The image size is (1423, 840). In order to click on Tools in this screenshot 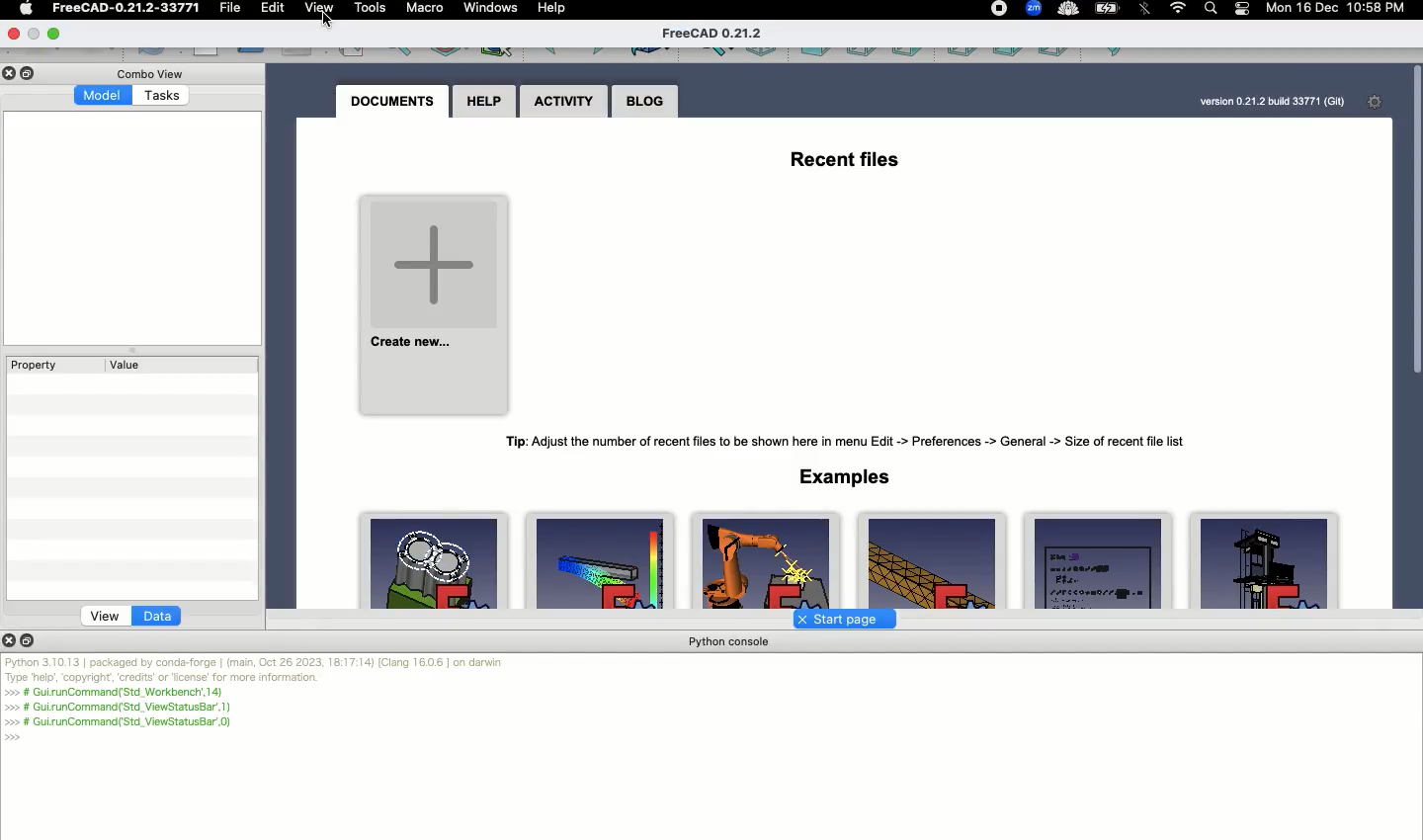, I will do `click(372, 8)`.